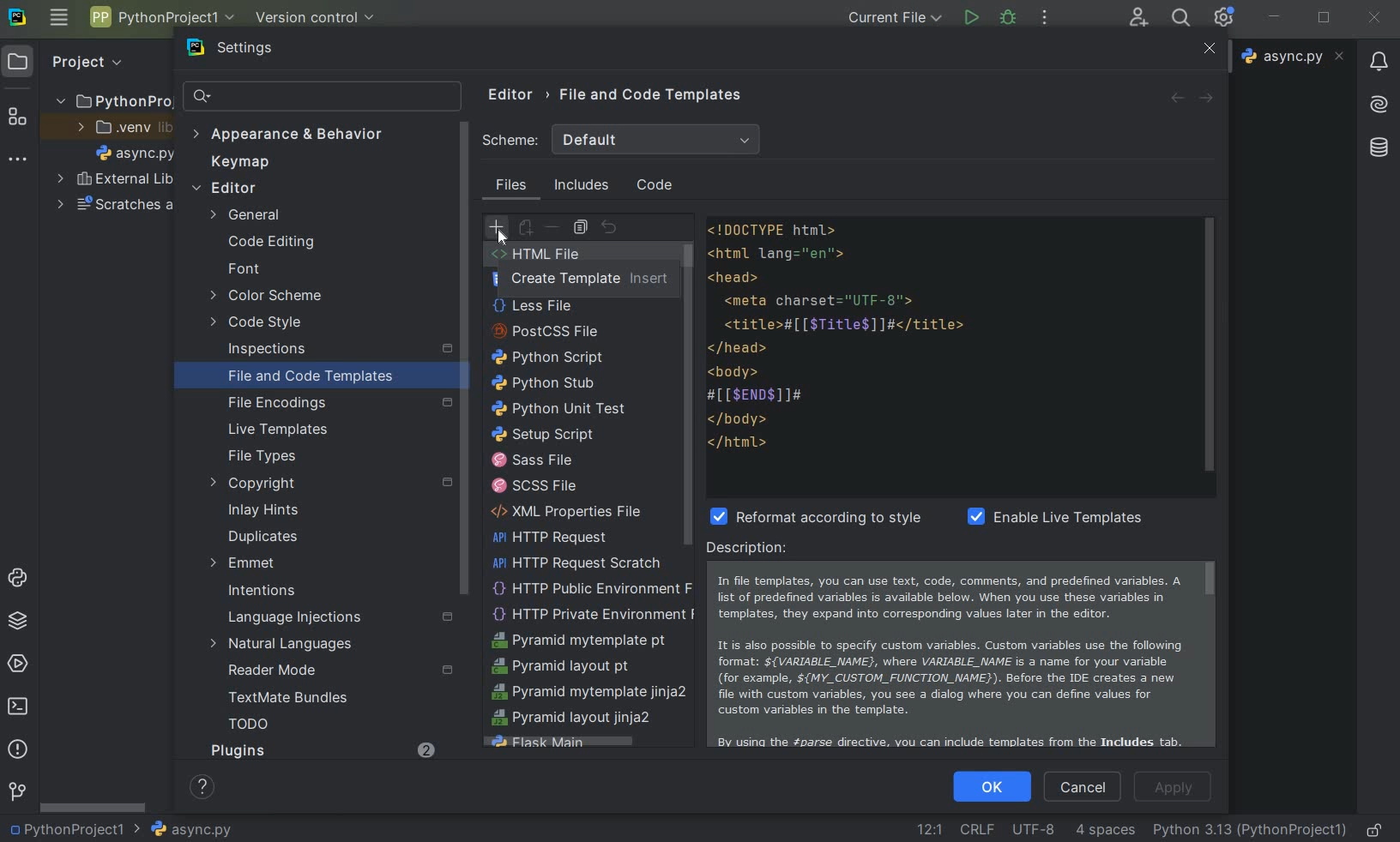 This screenshot has width=1400, height=842. Describe the element at coordinates (60, 18) in the screenshot. I see `main menu` at that location.